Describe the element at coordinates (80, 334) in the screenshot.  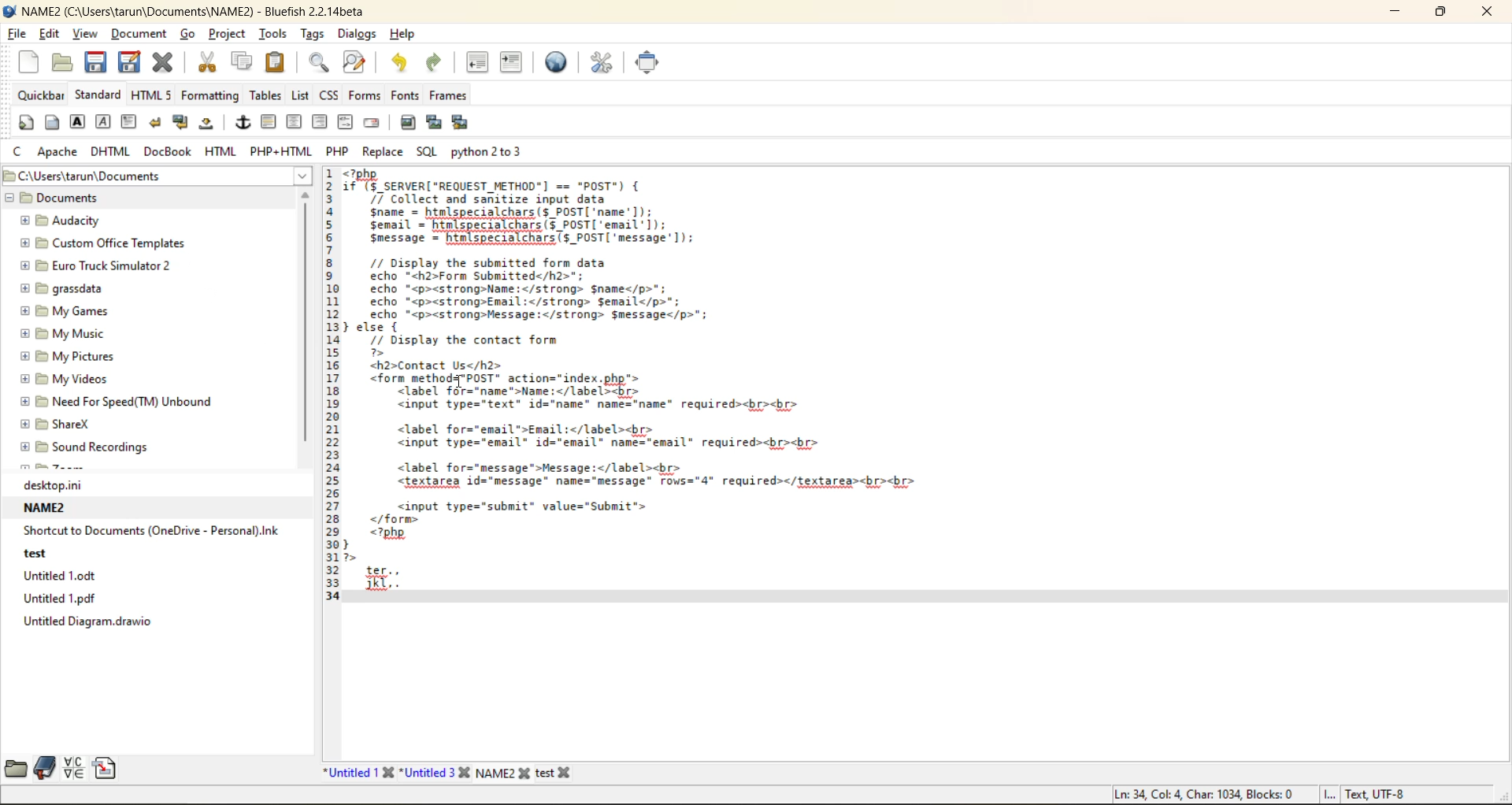
I see `my music` at that location.